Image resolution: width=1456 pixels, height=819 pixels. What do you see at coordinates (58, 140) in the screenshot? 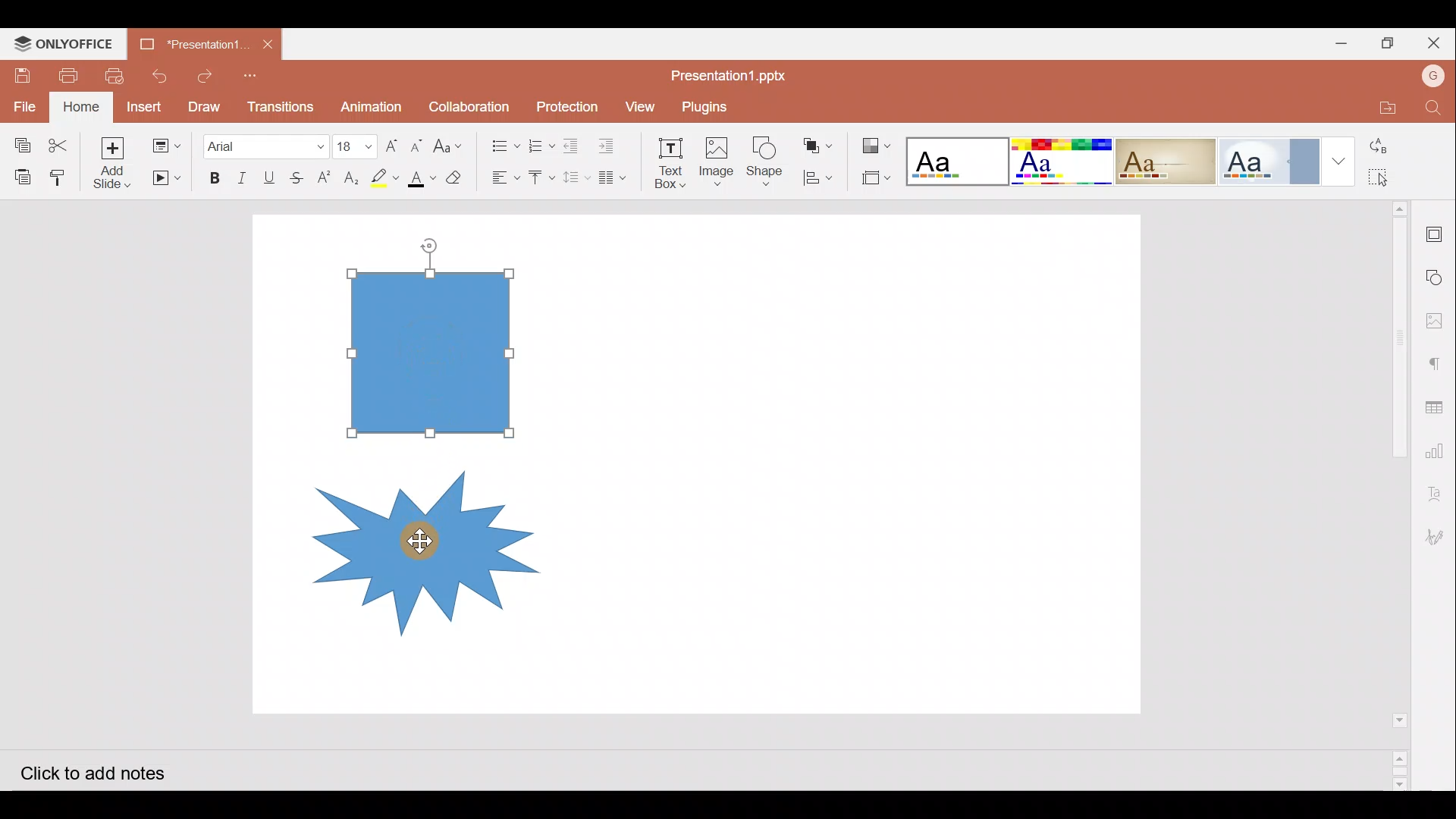
I see `Cut` at bounding box center [58, 140].